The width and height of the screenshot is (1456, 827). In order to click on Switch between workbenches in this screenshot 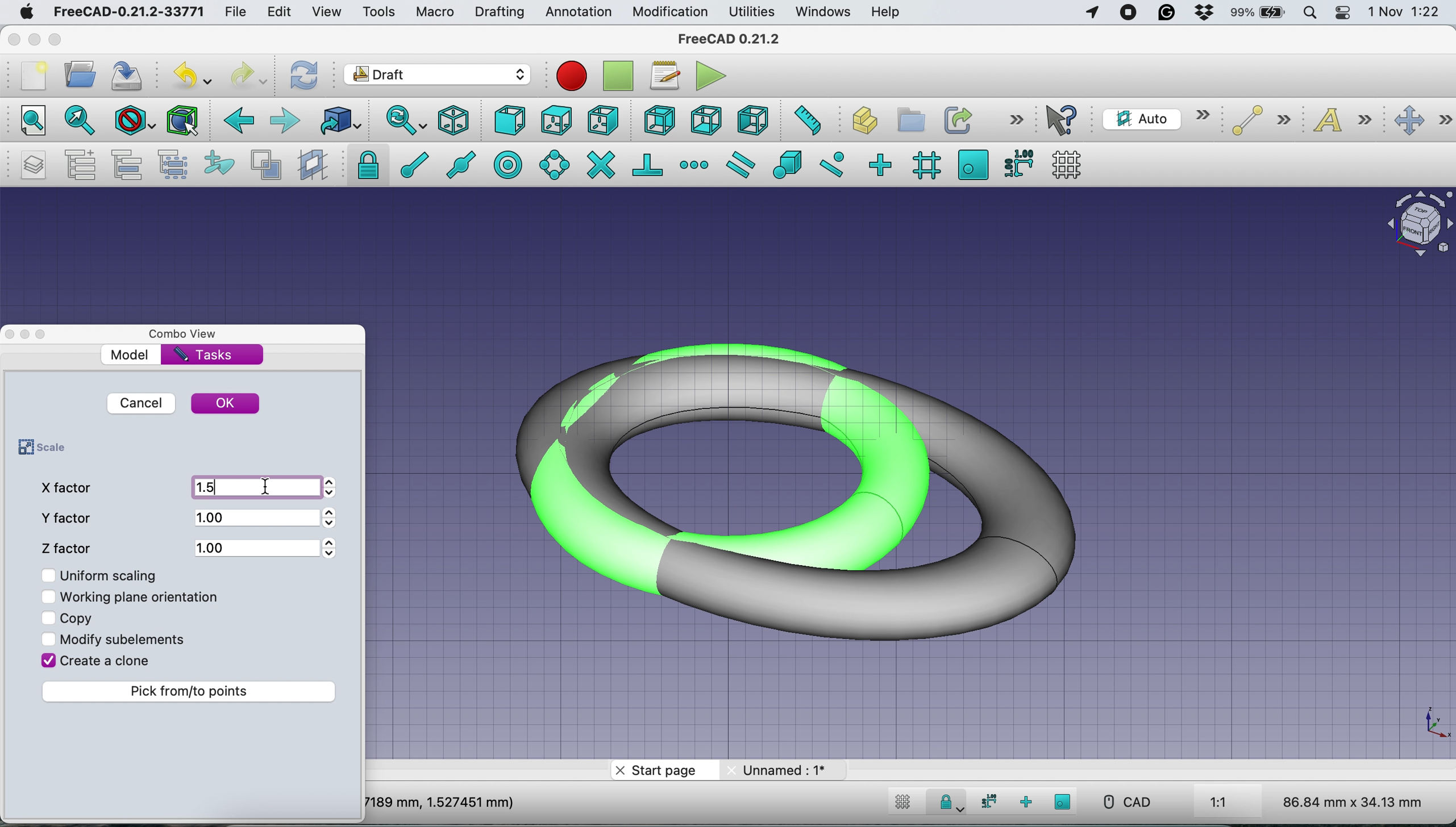, I will do `click(437, 76)`.